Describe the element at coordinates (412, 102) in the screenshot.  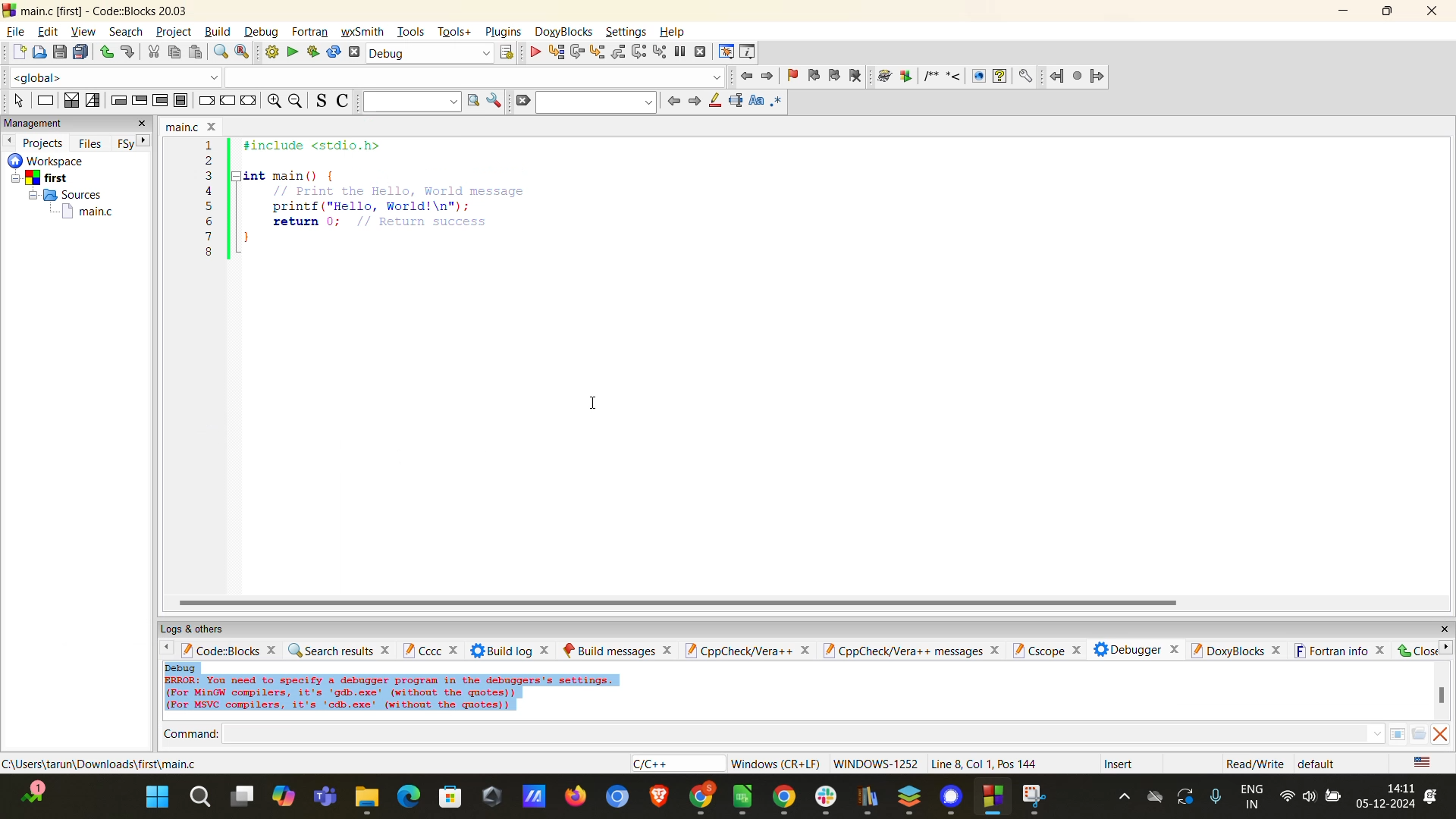
I see `text to search` at that location.